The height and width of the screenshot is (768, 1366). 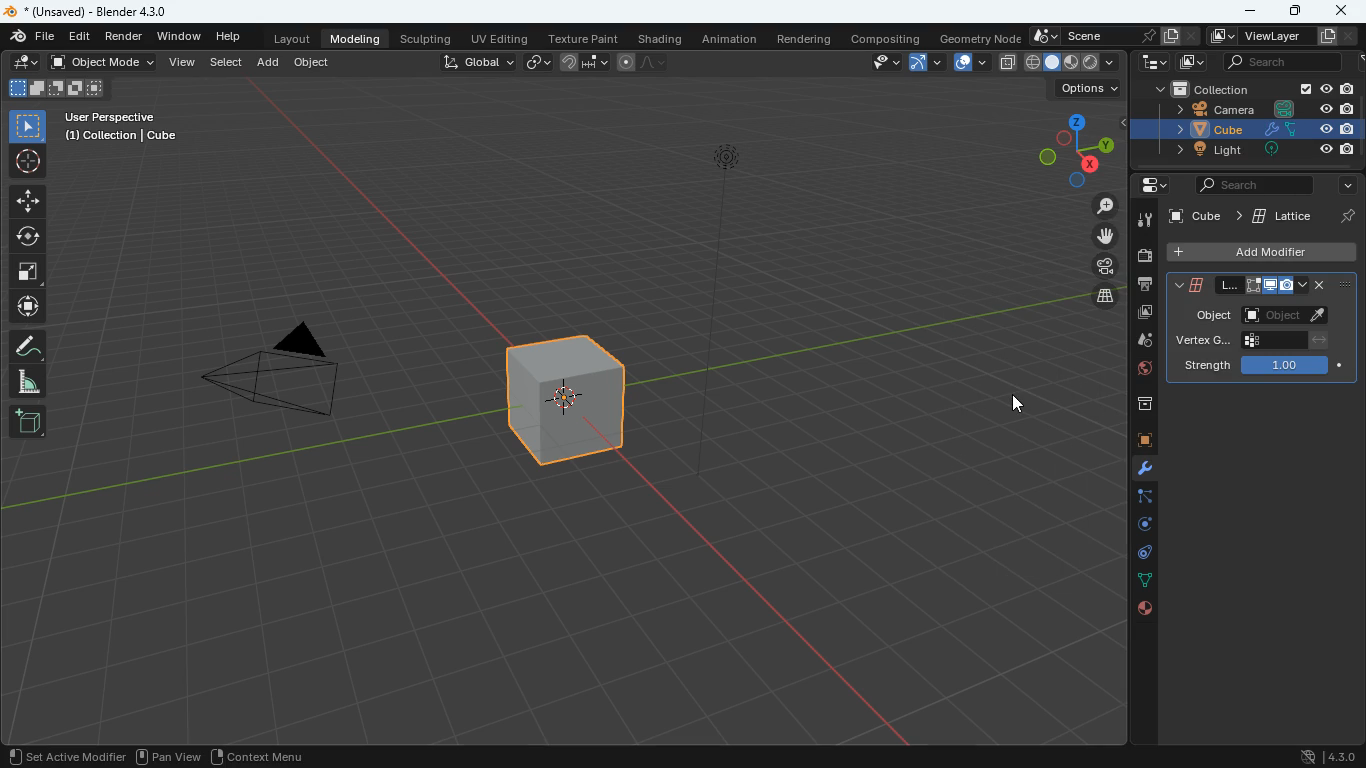 What do you see at coordinates (1141, 472) in the screenshot?
I see `modifiers` at bounding box center [1141, 472].